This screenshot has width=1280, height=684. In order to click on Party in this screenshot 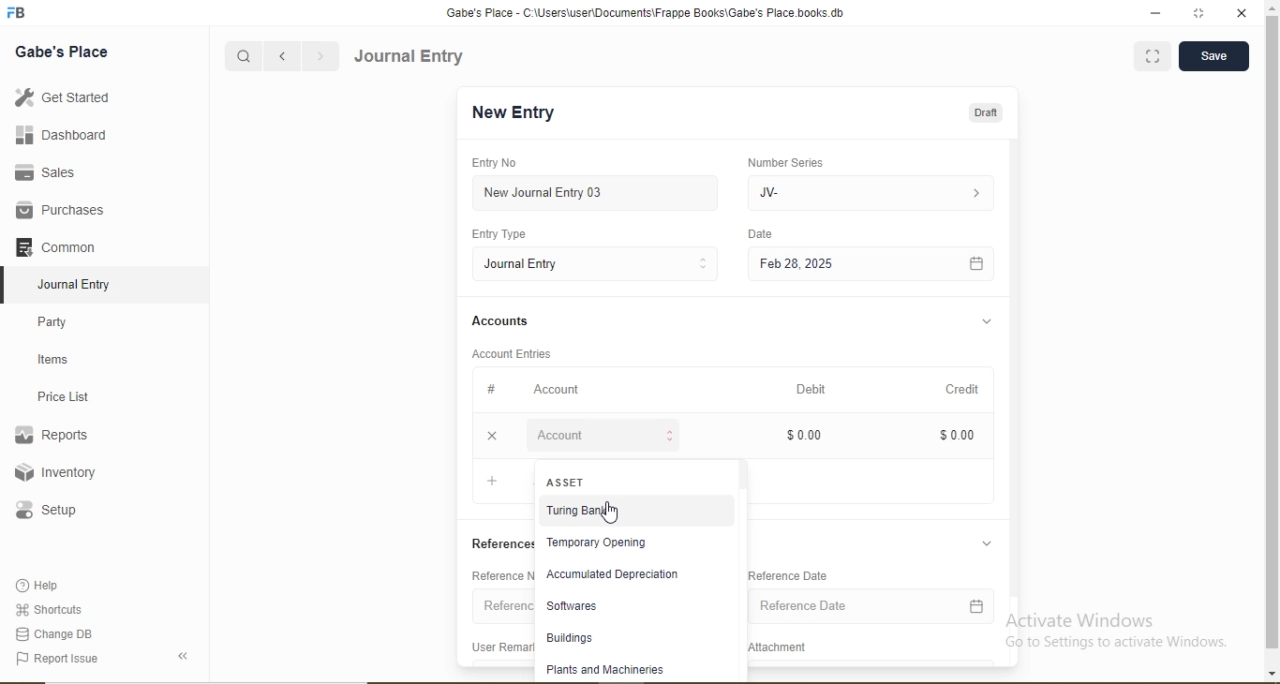, I will do `click(53, 324)`.